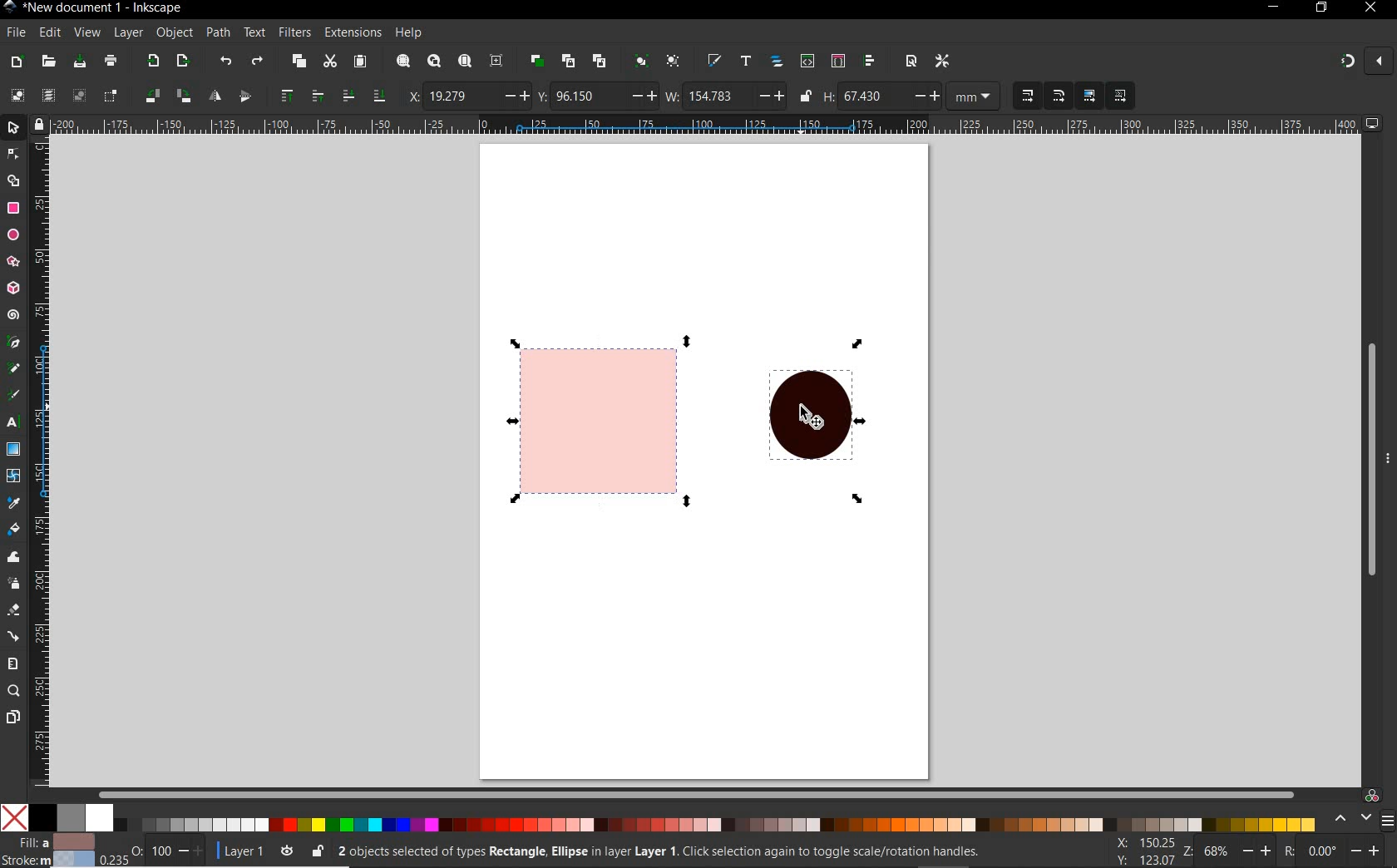 This screenshot has height=868, width=1397. What do you see at coordinates (15, 32) in the screenshot?
I see `file` at bounding box center [15, 32].